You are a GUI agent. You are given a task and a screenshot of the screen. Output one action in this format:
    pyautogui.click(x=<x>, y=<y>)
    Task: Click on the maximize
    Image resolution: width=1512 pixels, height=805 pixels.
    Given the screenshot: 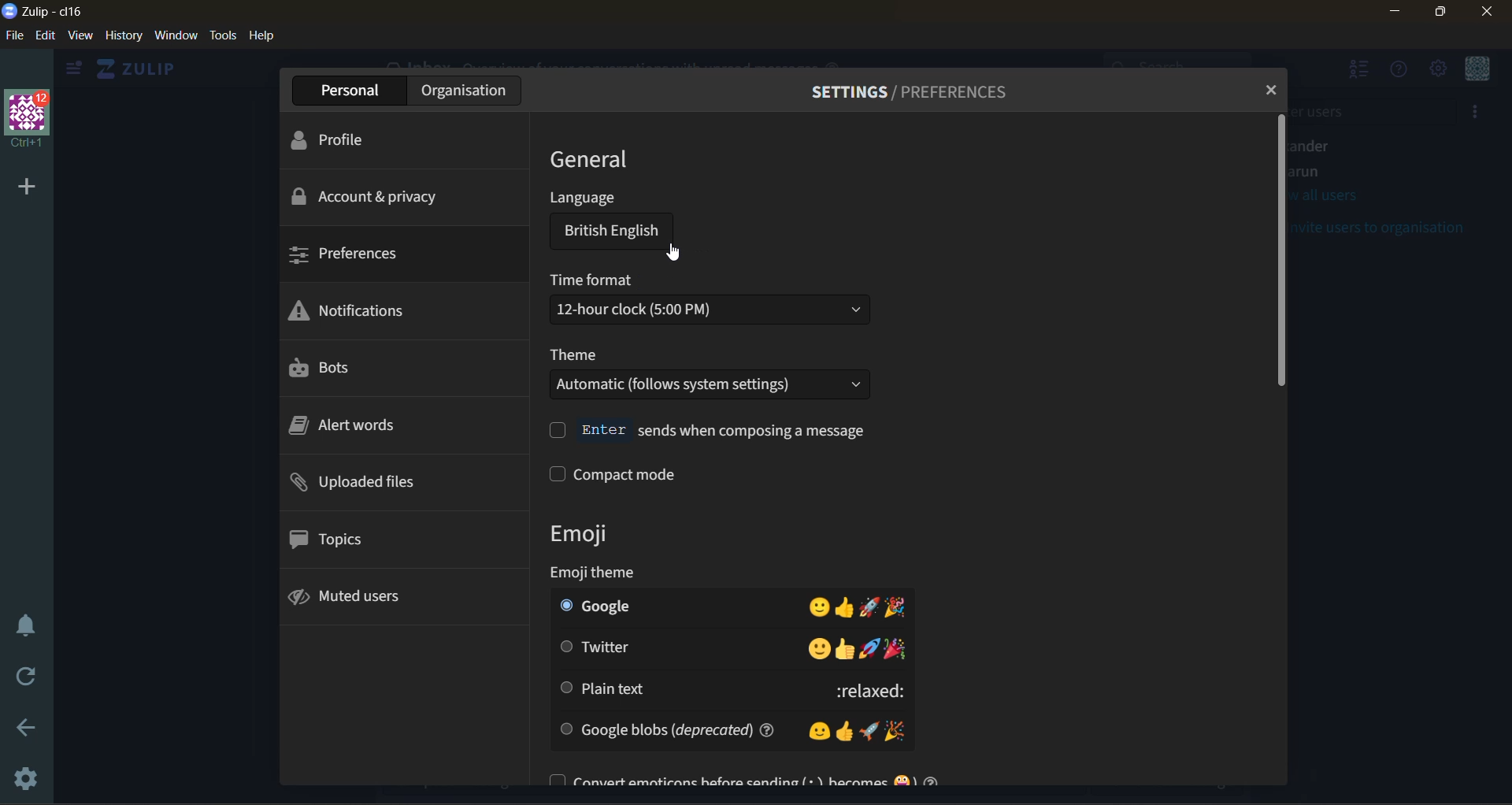 What is the action you would take?
    pyautogui.click(x=1443, y=13)
    